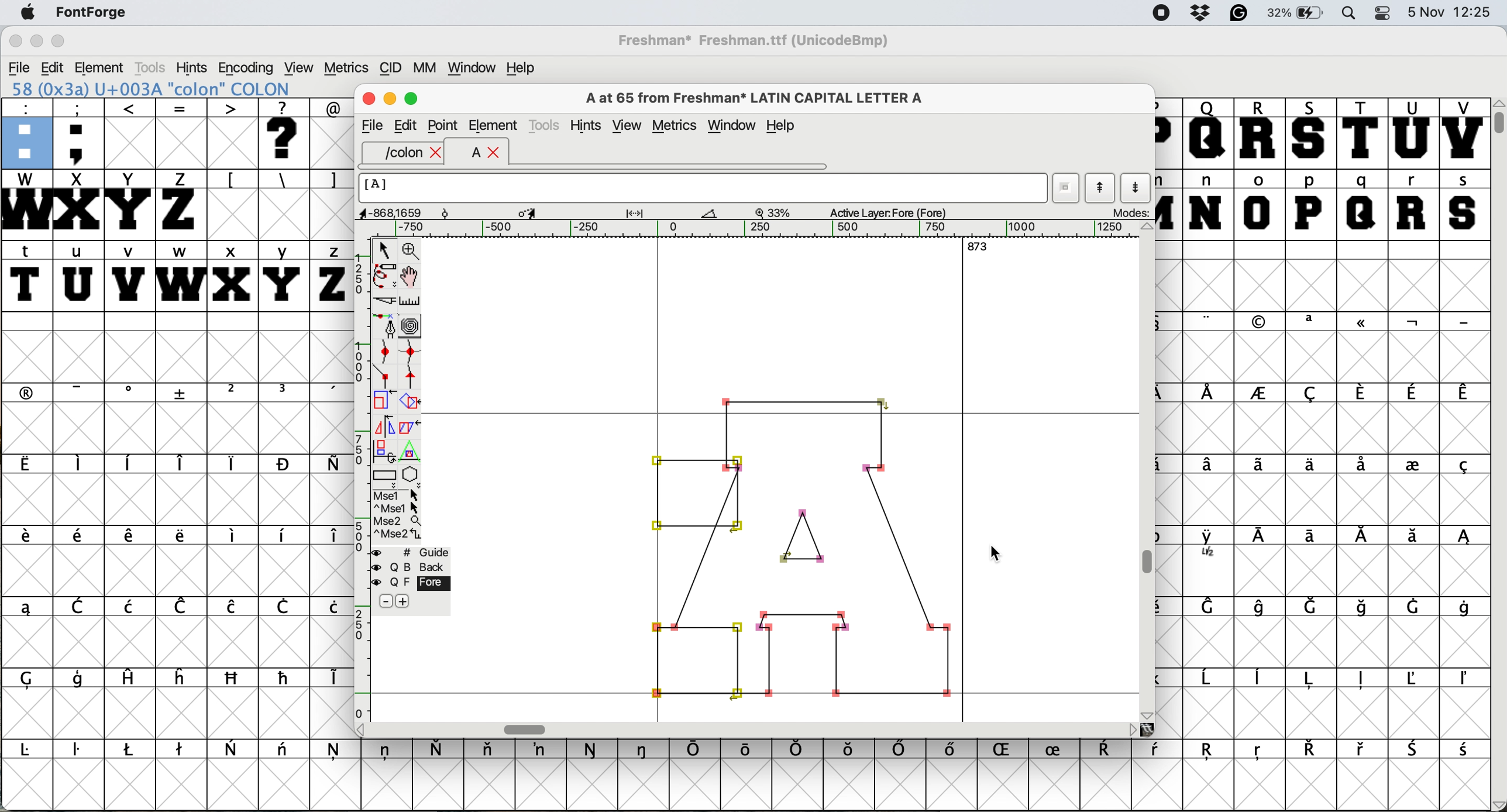  What do you see at coordinates (32, 750) in the screenshot?
I see `symbol` at bounding box center [32, 750].